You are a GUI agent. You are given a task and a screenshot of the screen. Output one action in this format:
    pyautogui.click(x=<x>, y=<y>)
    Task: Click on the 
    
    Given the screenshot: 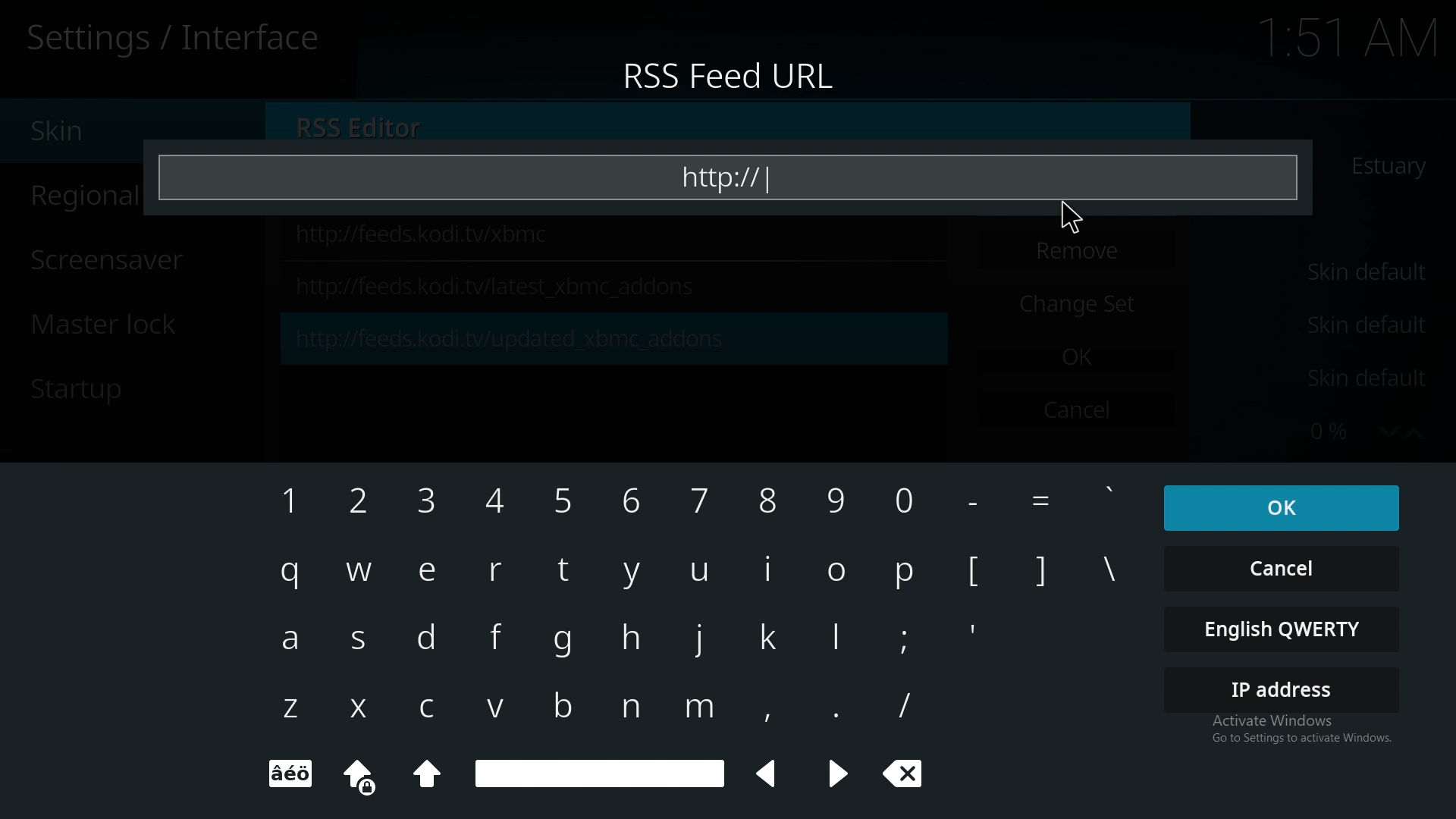 What is the action you would take?
    pyautogui.click(x=984, y=506)
    